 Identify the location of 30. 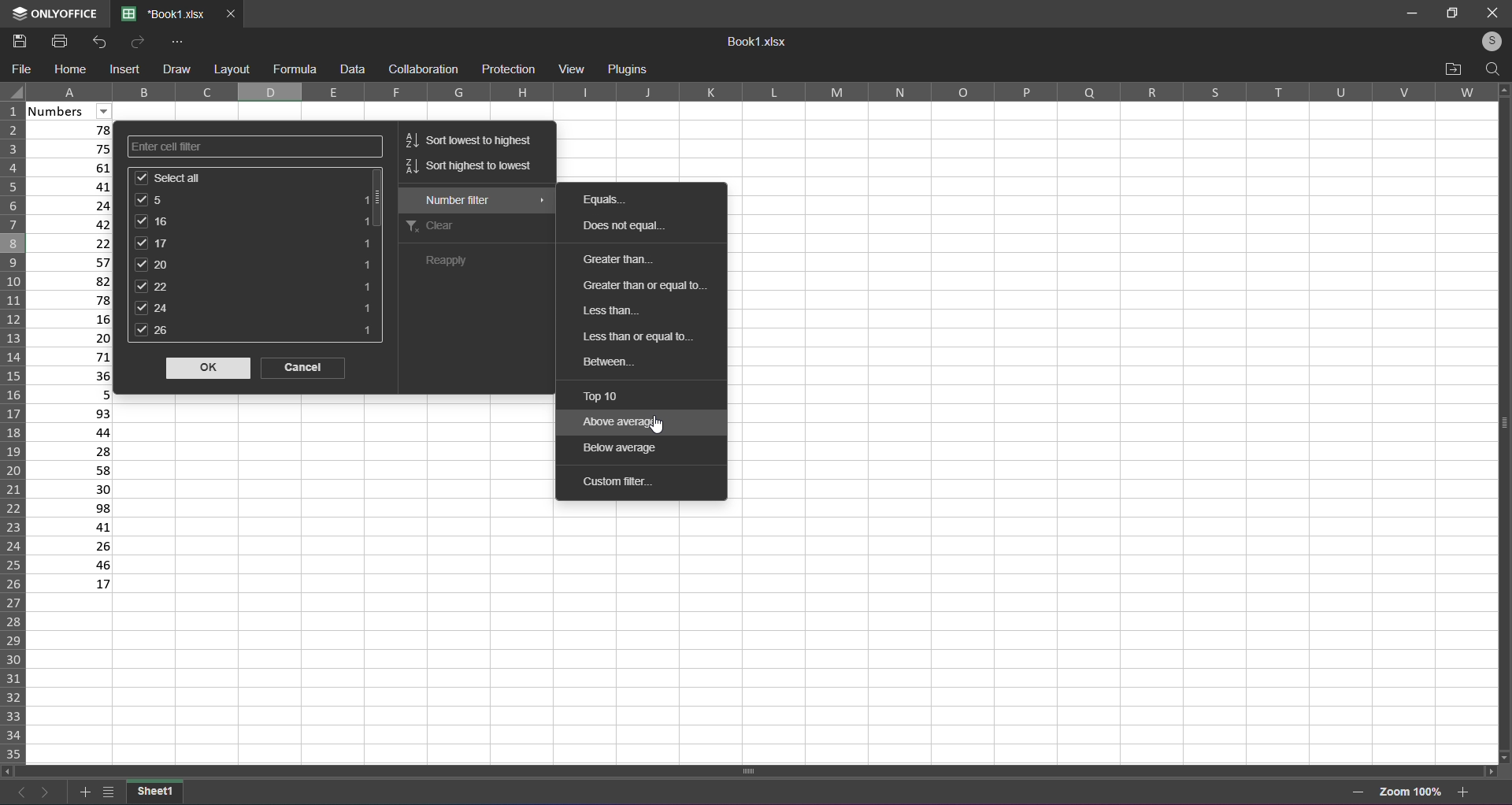
(69, 489).